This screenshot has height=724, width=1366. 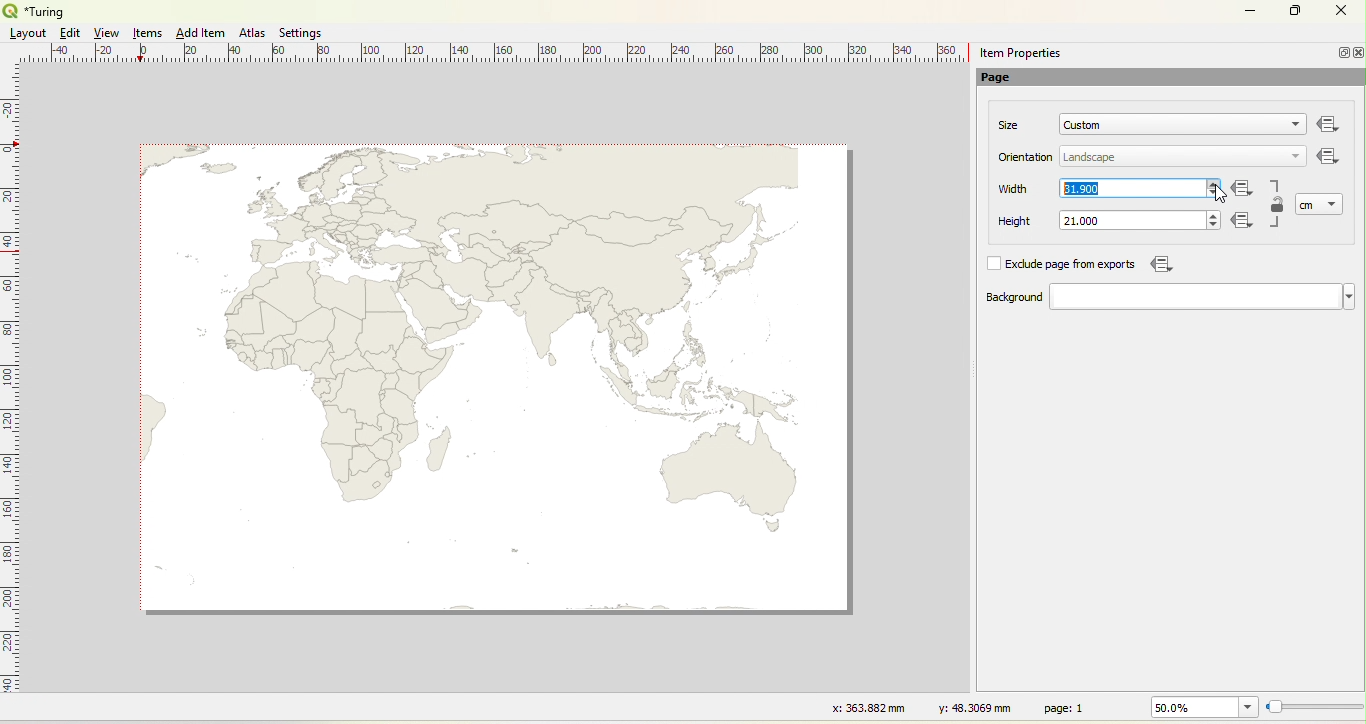 I want to click on Icon, so click(x=1159, y=264).